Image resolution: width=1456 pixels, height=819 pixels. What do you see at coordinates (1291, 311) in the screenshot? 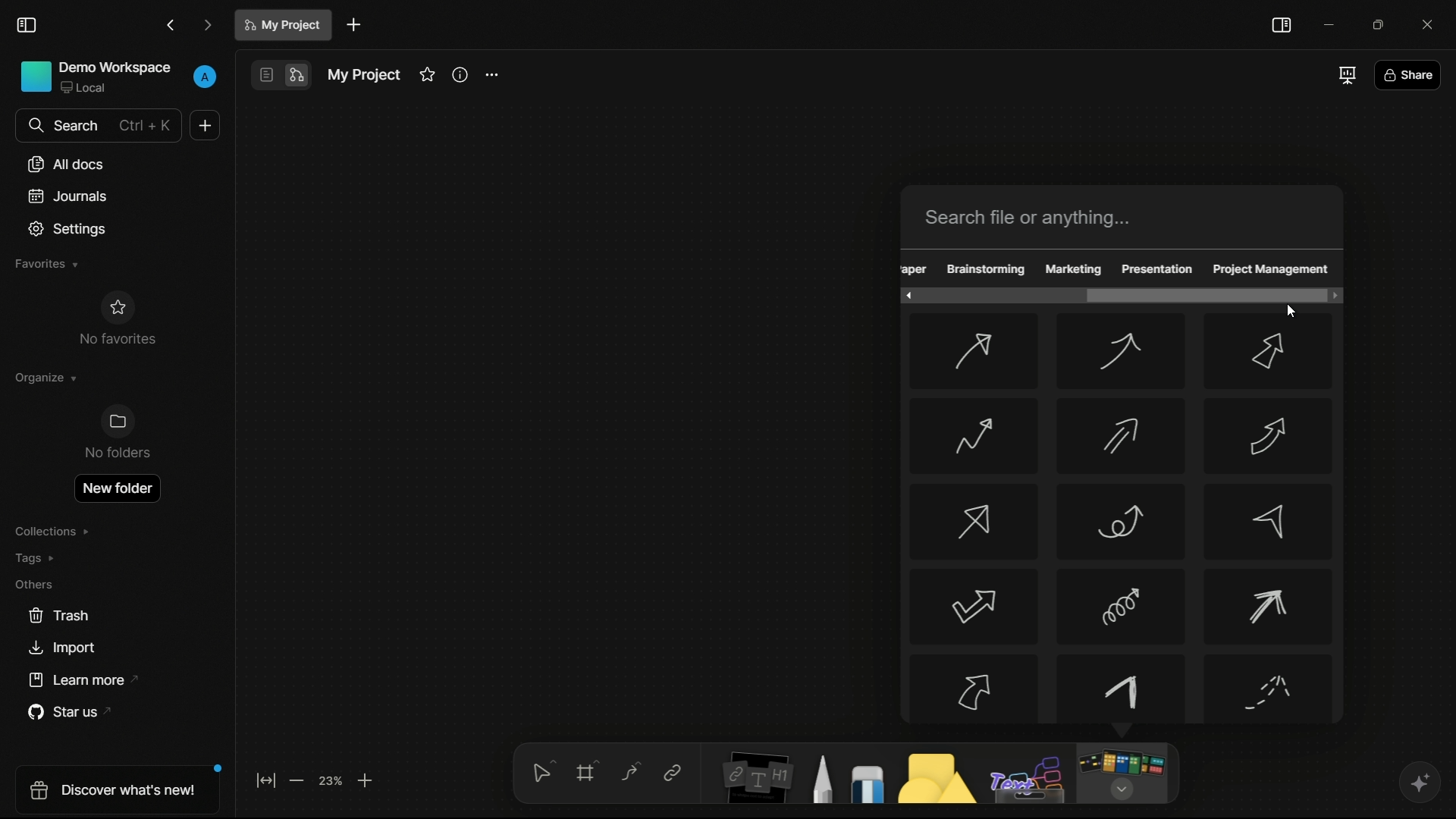
I see `cursor` at bounding box center [1291, 311].